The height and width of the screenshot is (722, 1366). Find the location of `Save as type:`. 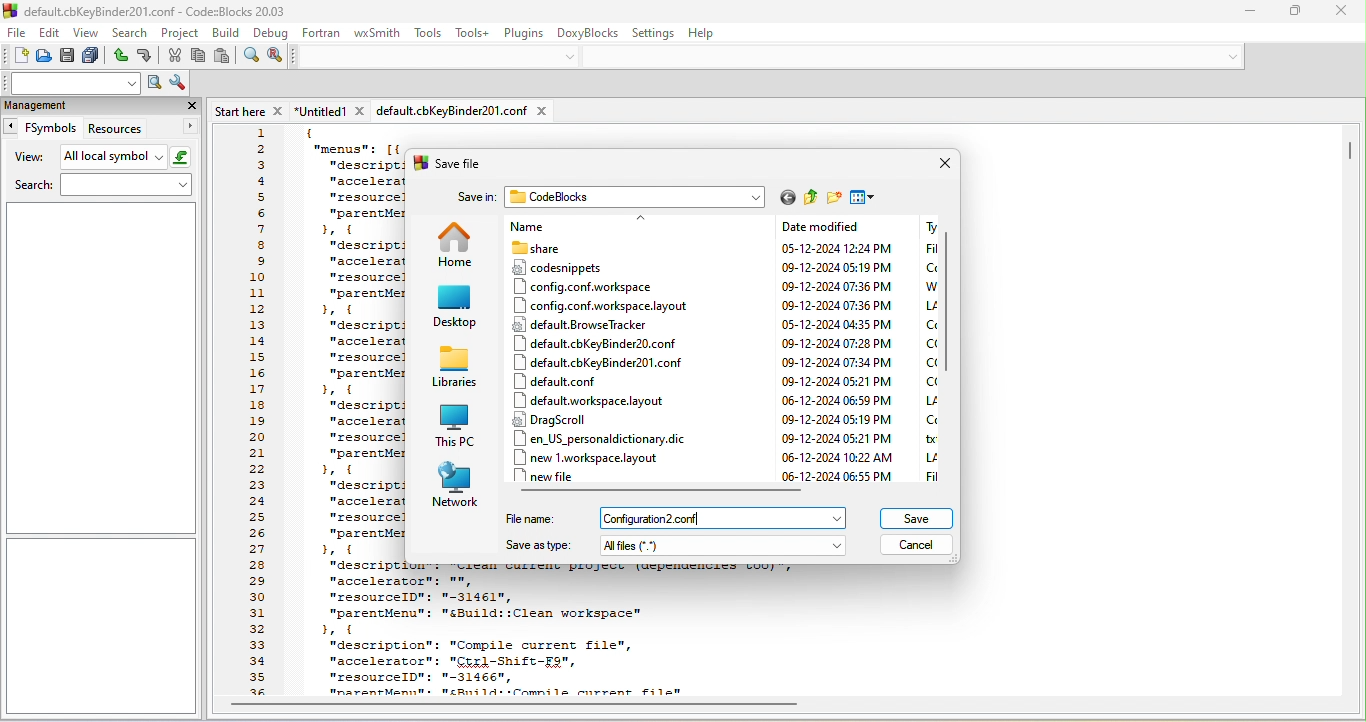

Save as type: is located at coordinates (538, 547).